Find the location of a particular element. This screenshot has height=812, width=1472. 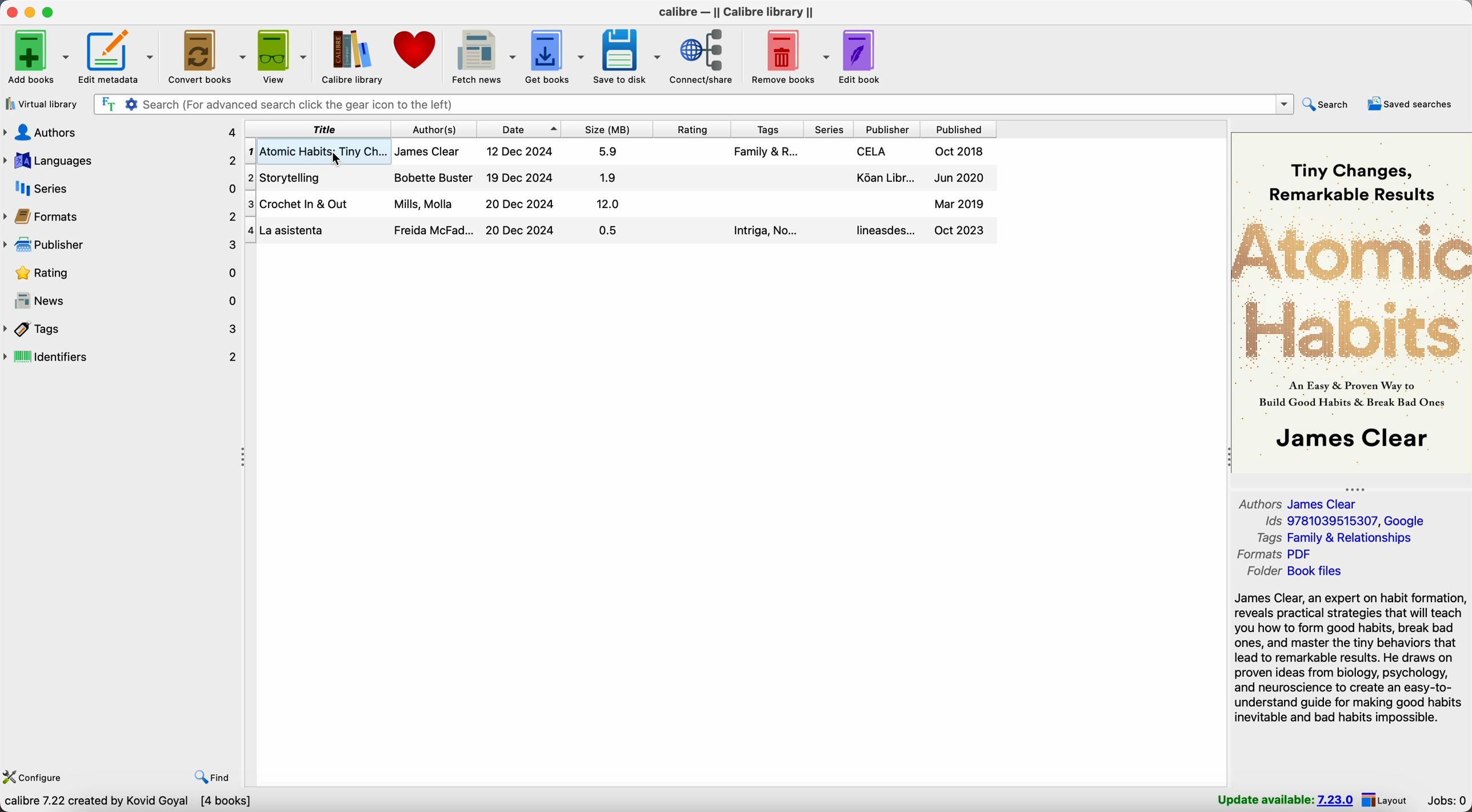

series is located at coordinates (831, 129).